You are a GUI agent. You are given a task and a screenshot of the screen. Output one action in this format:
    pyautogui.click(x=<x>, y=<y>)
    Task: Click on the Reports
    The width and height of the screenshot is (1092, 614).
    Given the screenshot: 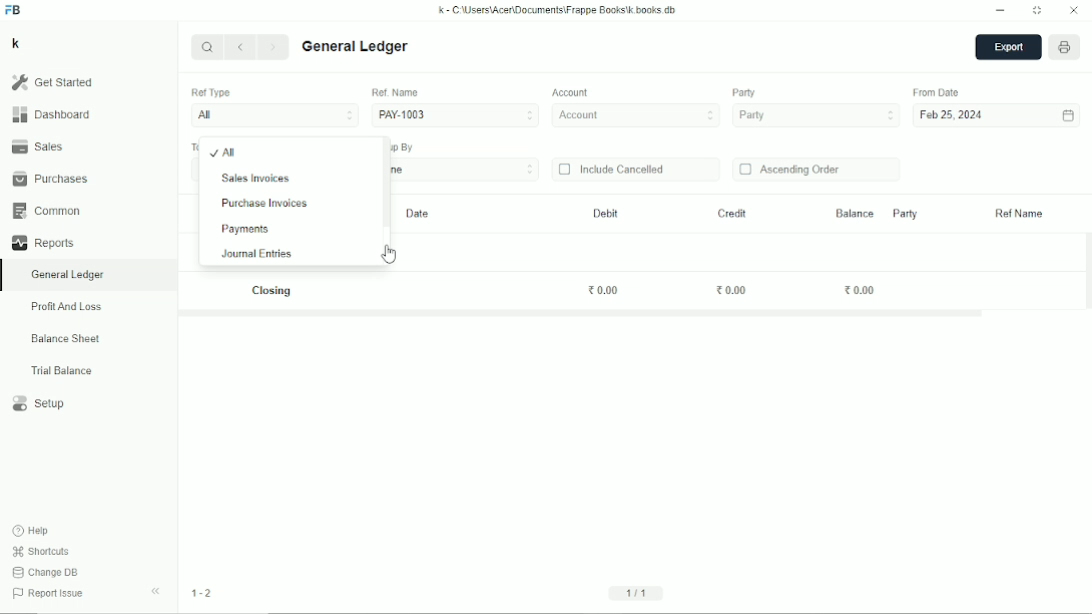 What is the action you would take?
    pyautogui.click(x=42, y=243)
    